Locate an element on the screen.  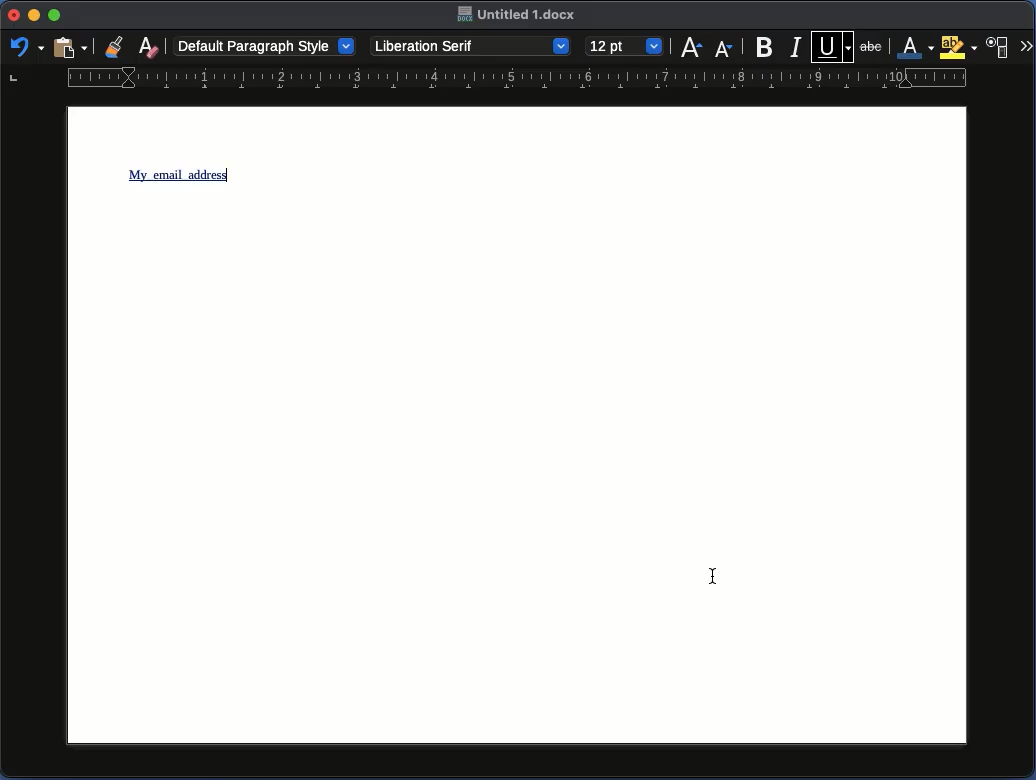
Close is located at coordinates (14, 15).